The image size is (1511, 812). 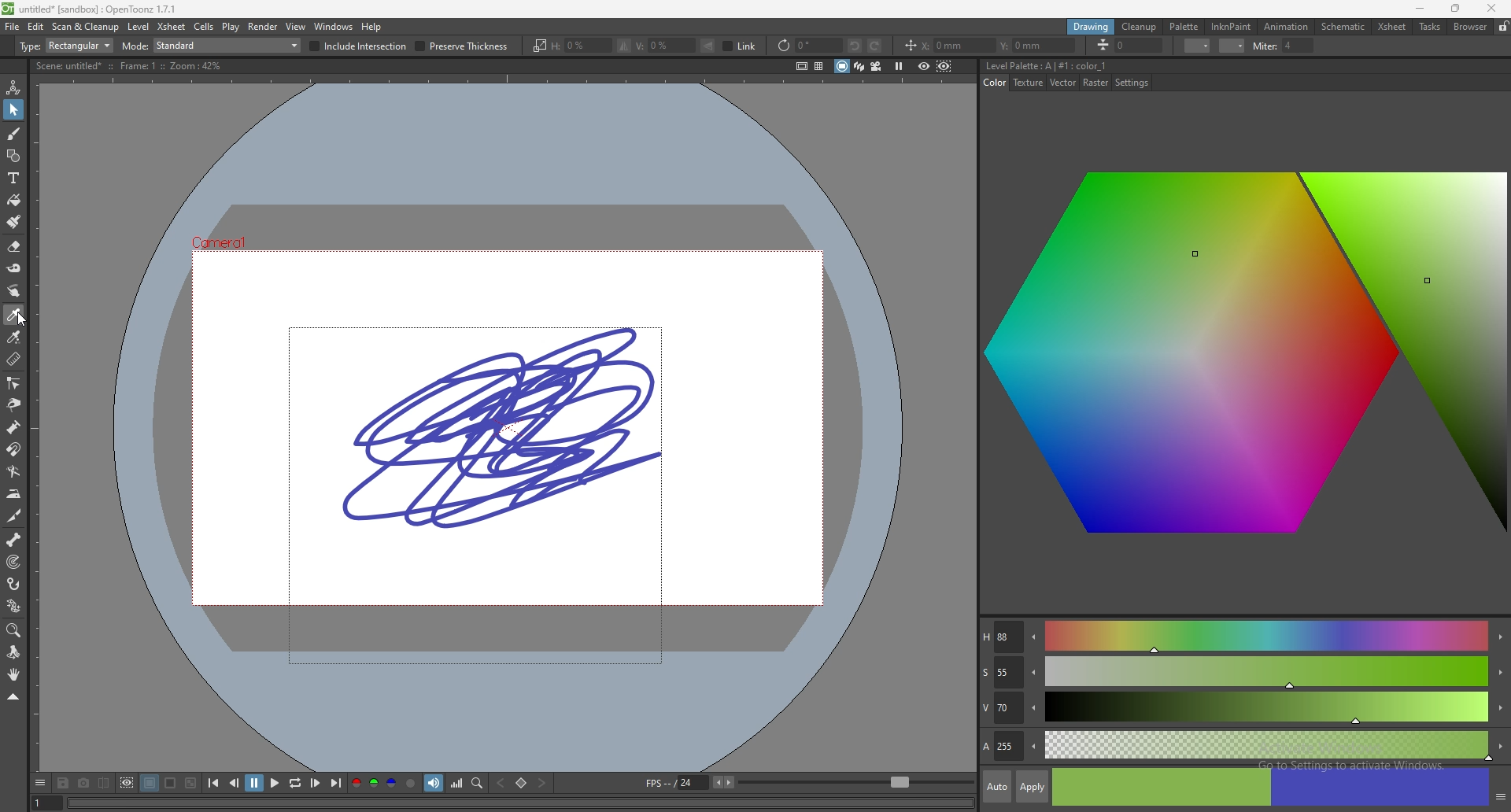 I want to click on control point editor tool, so click(x=14, y=382).